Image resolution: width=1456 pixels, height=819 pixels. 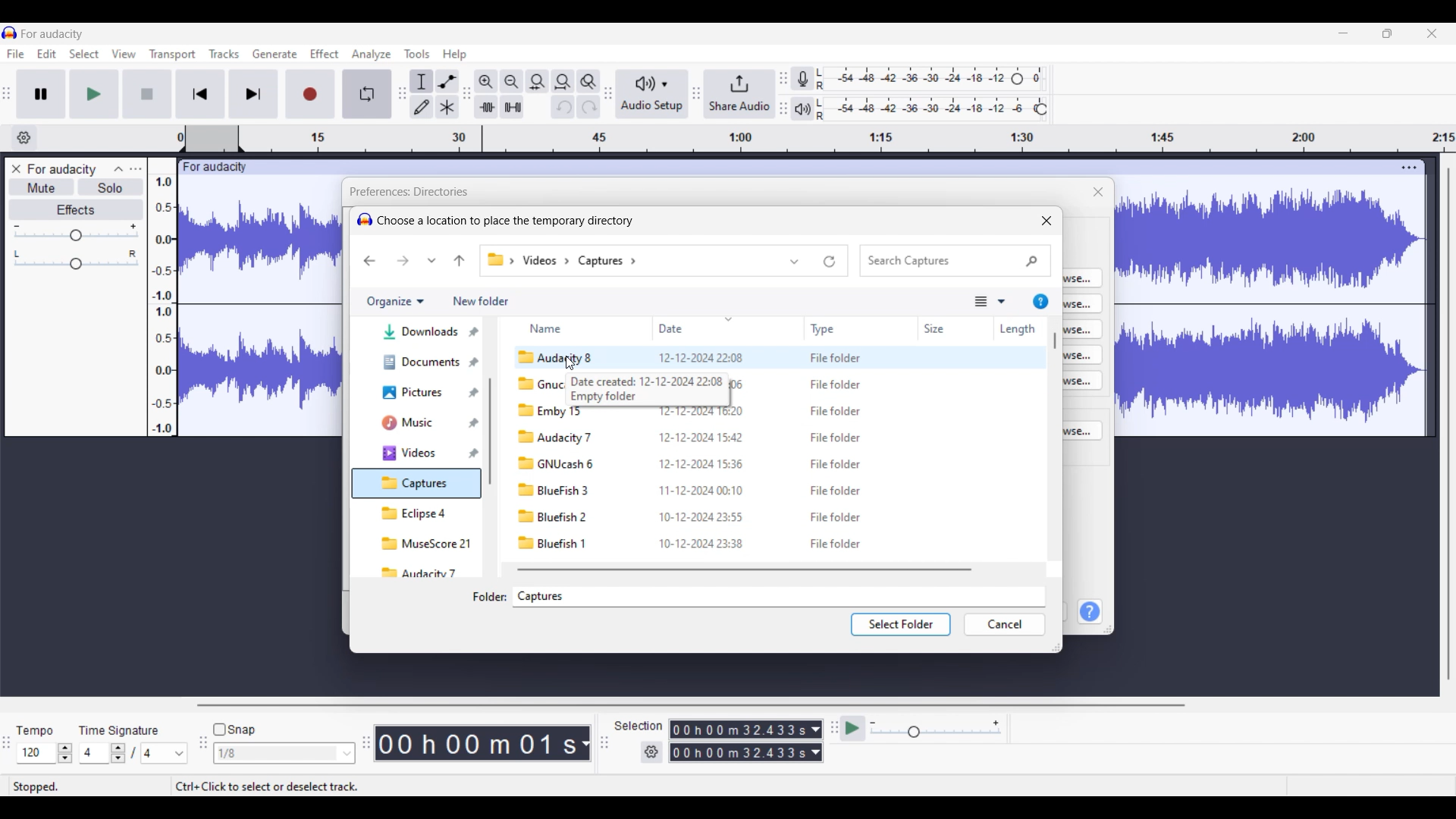 What do you see at coordinates (836, 491) in the screenshot?
I see `file folder` at bounding box center [836, 491].